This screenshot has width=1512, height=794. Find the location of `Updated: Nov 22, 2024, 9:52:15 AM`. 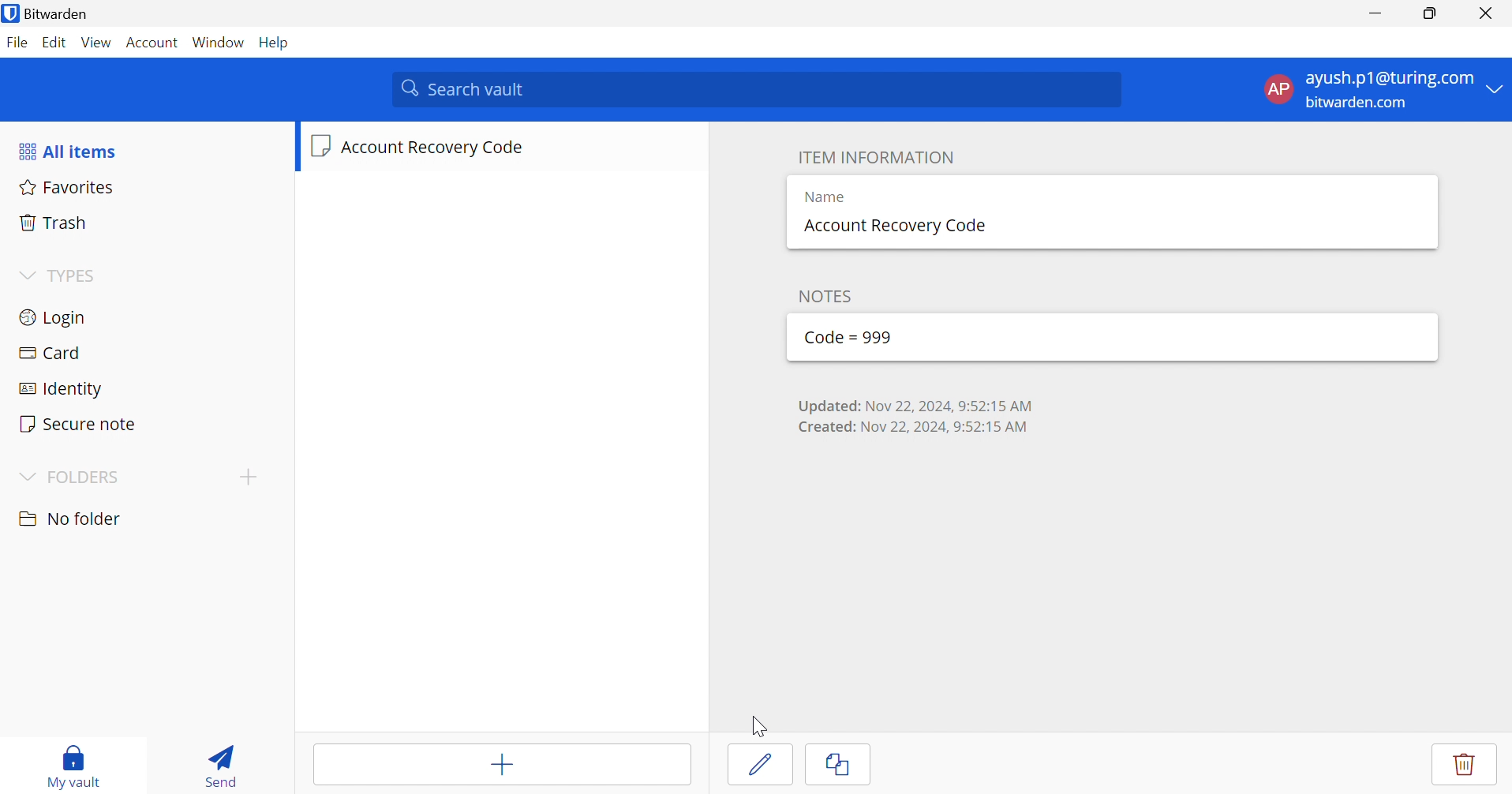

Updated: Nov 22, 2024, 9:52:15 AM is located at coordinates (919, 405).